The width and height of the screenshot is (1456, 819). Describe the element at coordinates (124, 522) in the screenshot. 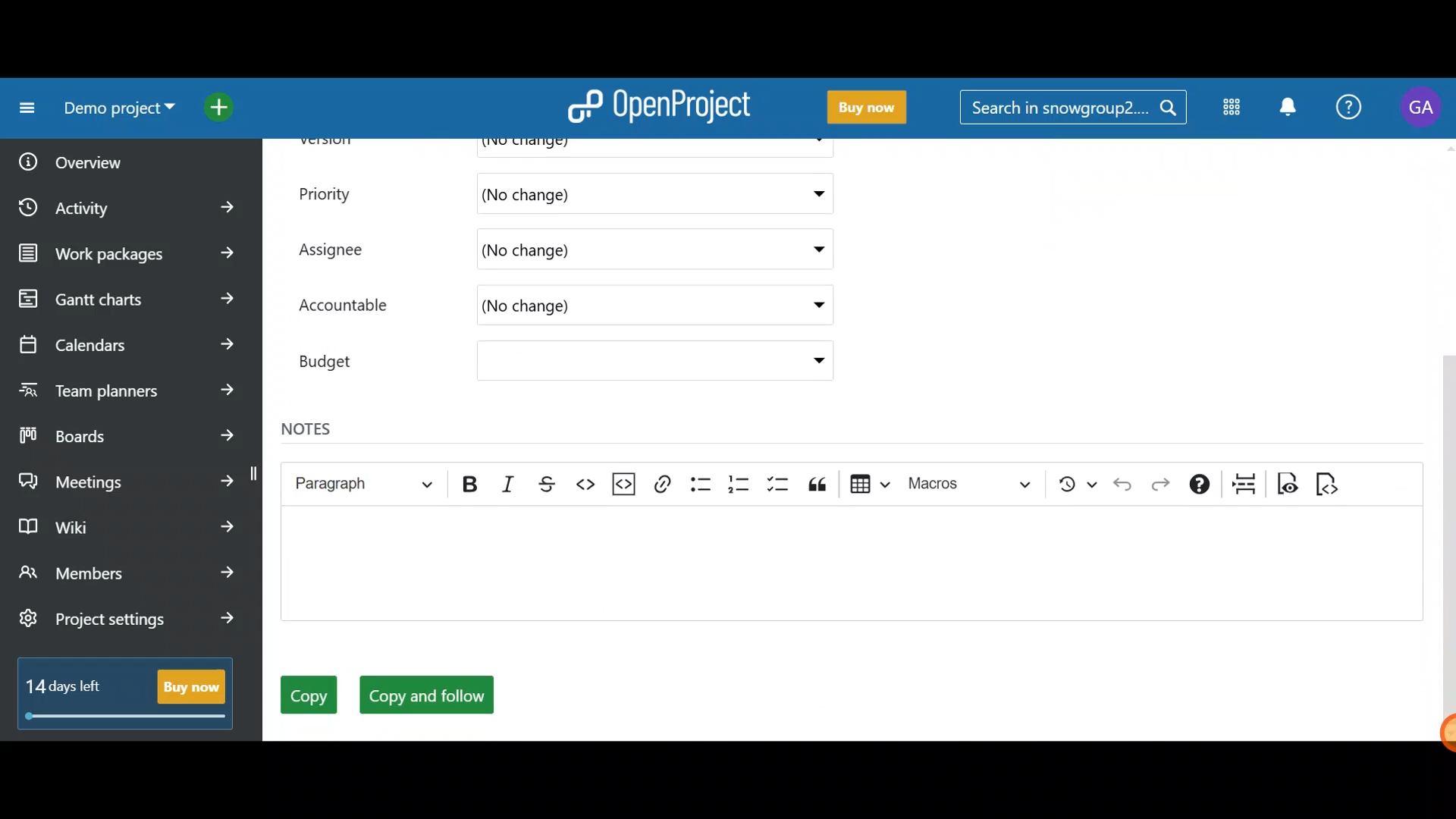

I see `Wiki` at that location.